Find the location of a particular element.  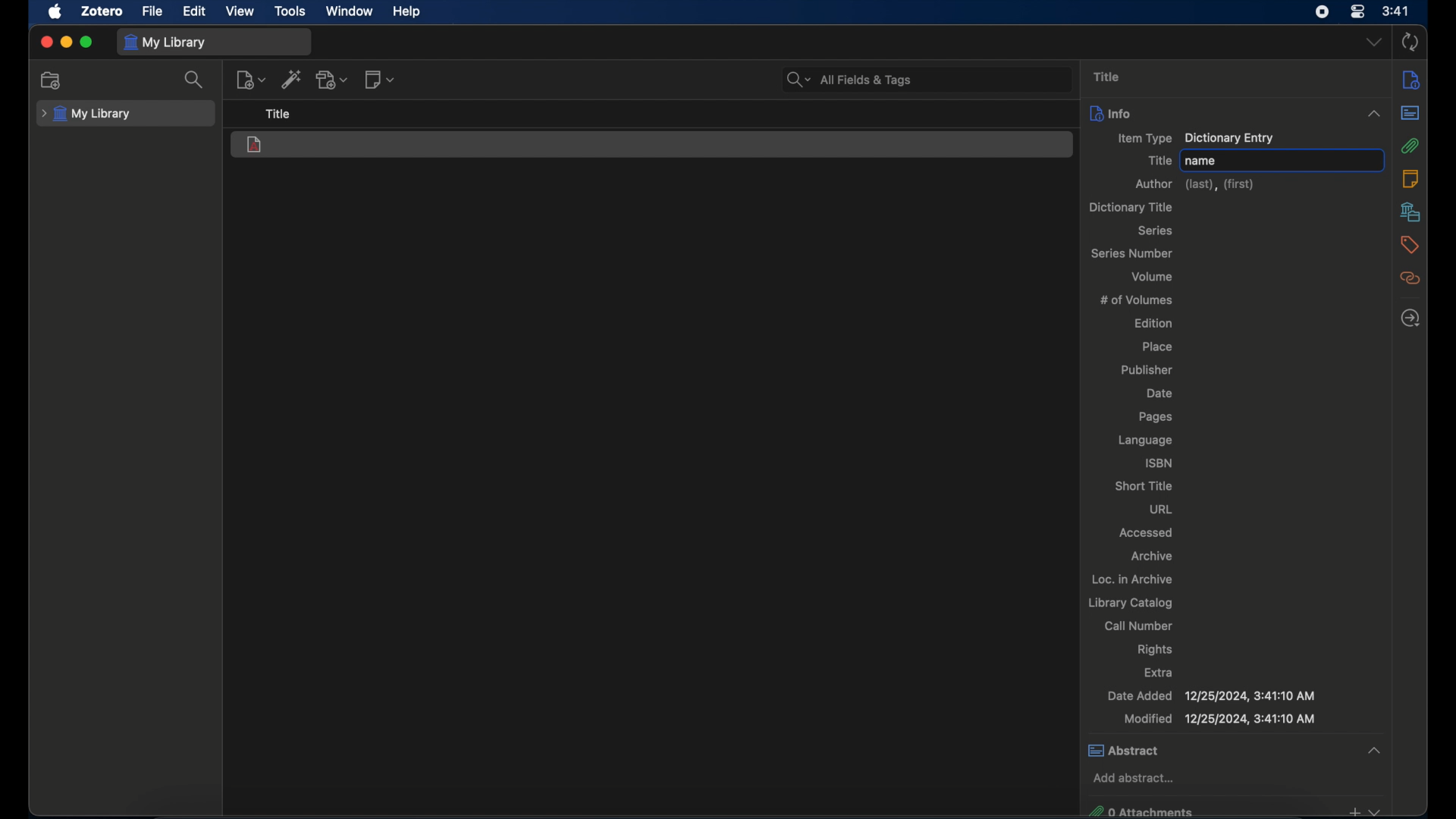

place is located at coordinates (1157, 346).